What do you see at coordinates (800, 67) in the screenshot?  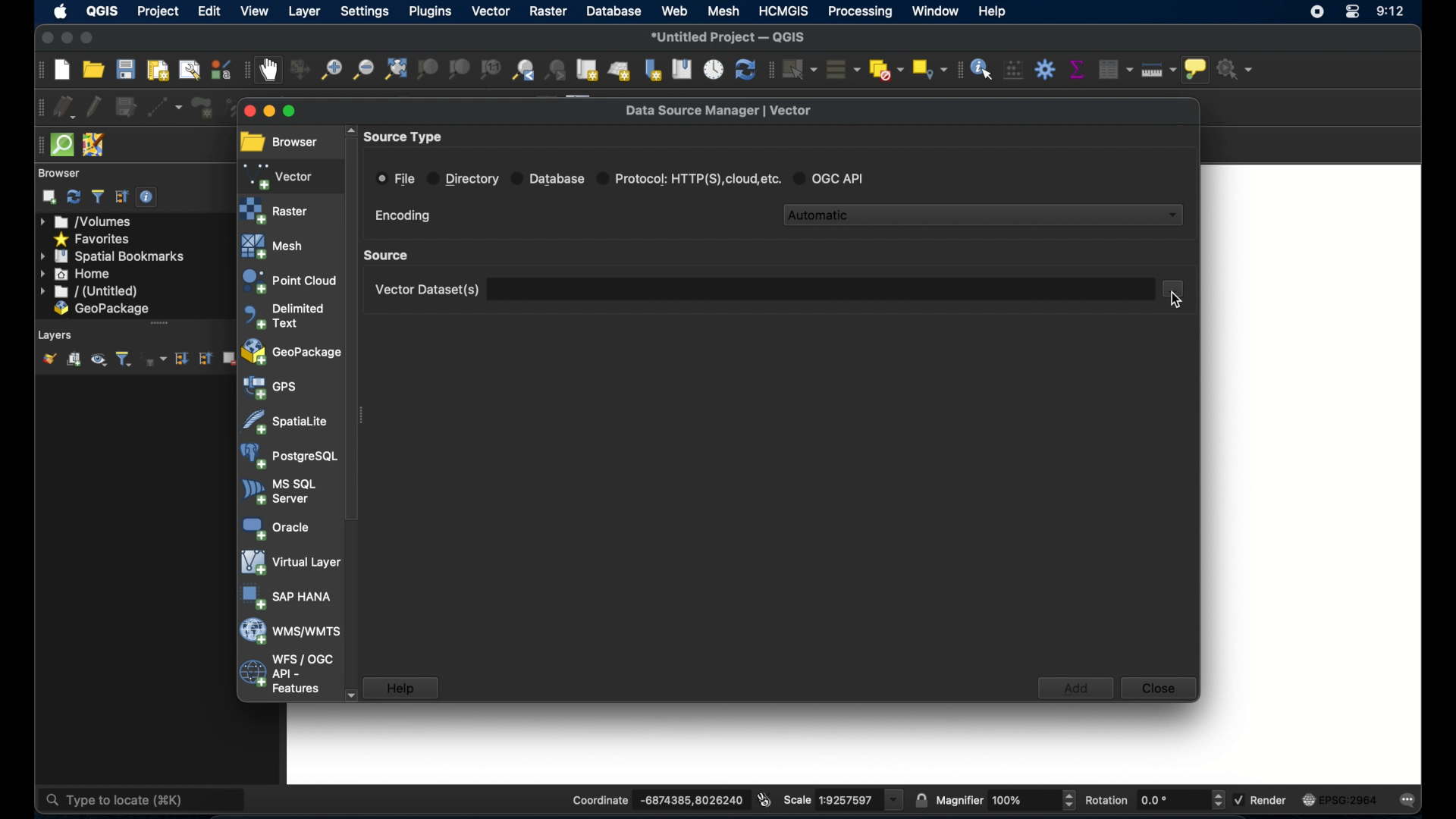 I see `select features by area or single click` at bounding box center [800, 67].